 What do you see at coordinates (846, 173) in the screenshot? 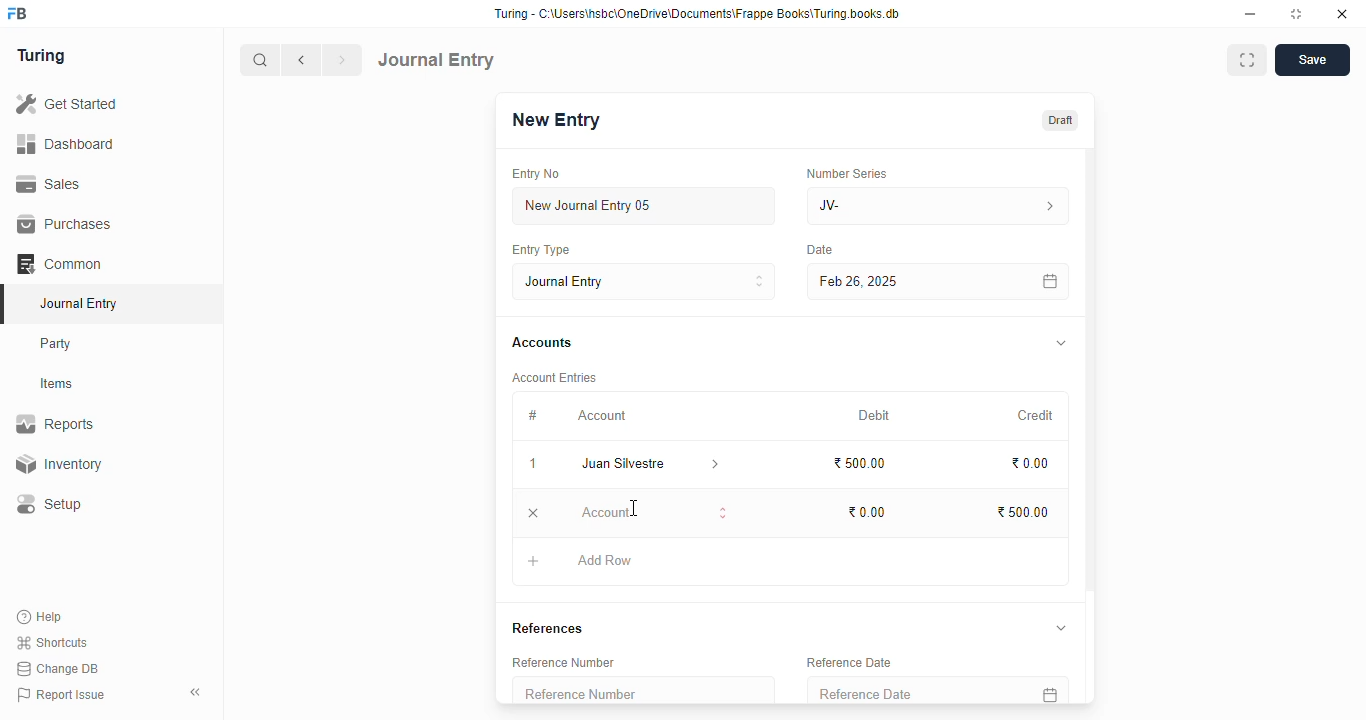
I see `number series` at bounding box center [846, 173].